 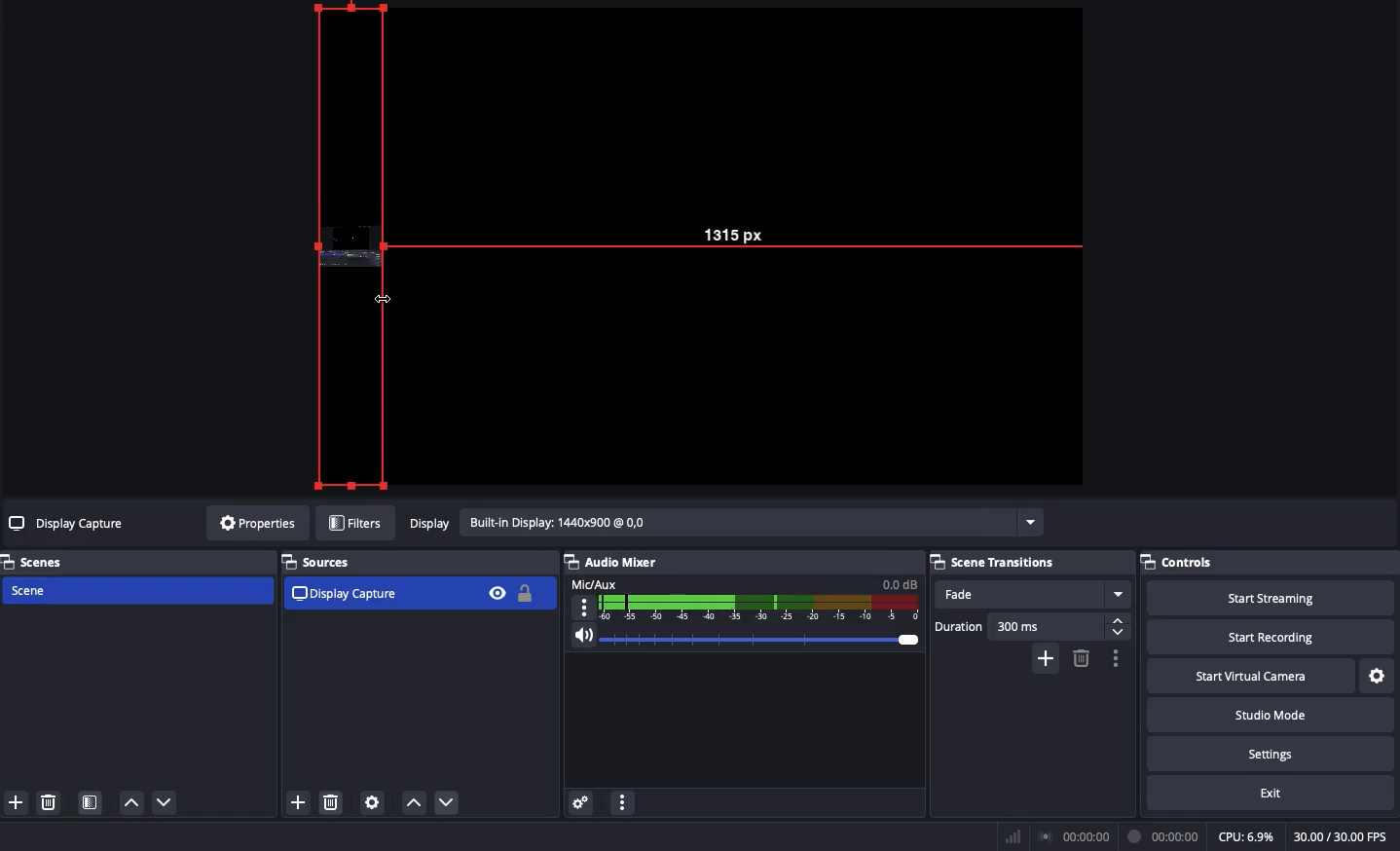 I want to click on Settings, so click(x=1379, y=677).